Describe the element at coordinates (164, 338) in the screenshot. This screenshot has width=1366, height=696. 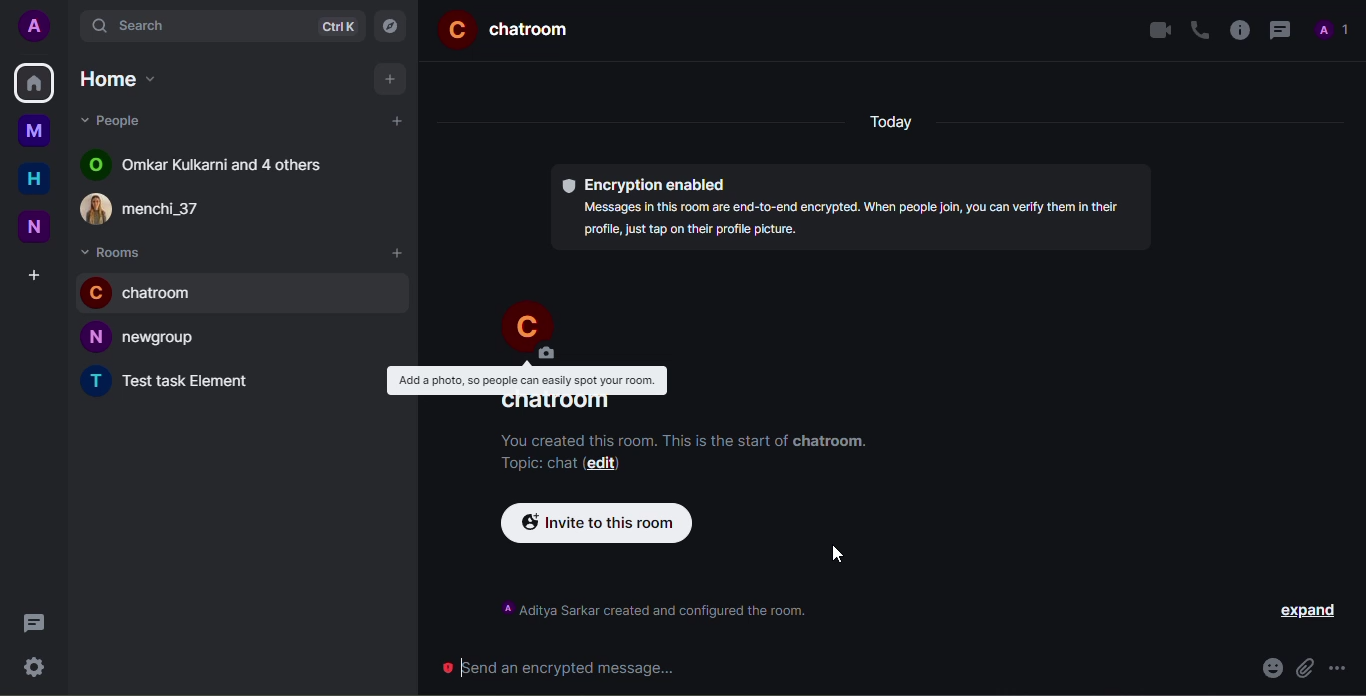
I see `N newgroup` at that location.